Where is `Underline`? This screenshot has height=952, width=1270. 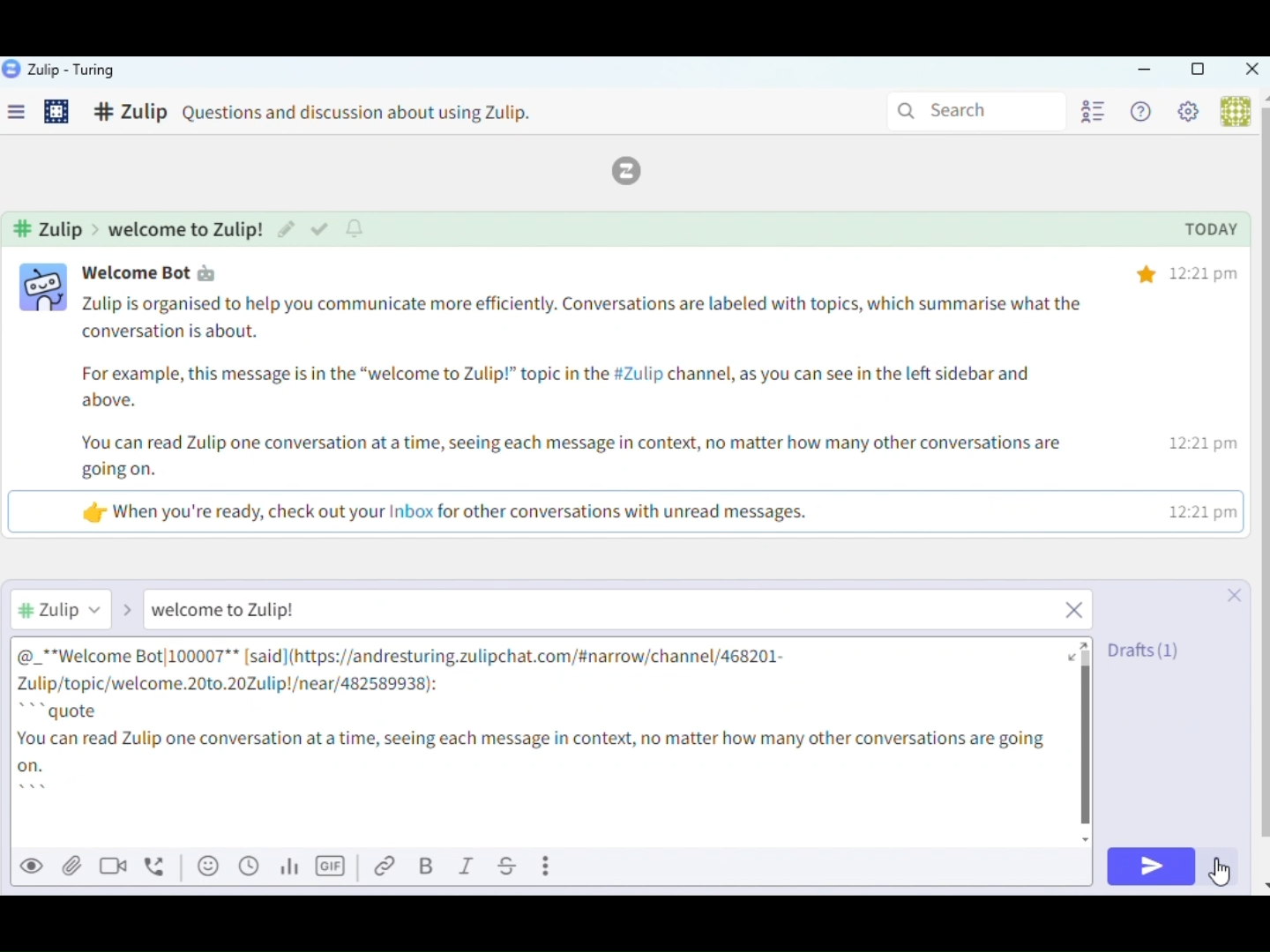 Underline is located at coordinates (509, 866).